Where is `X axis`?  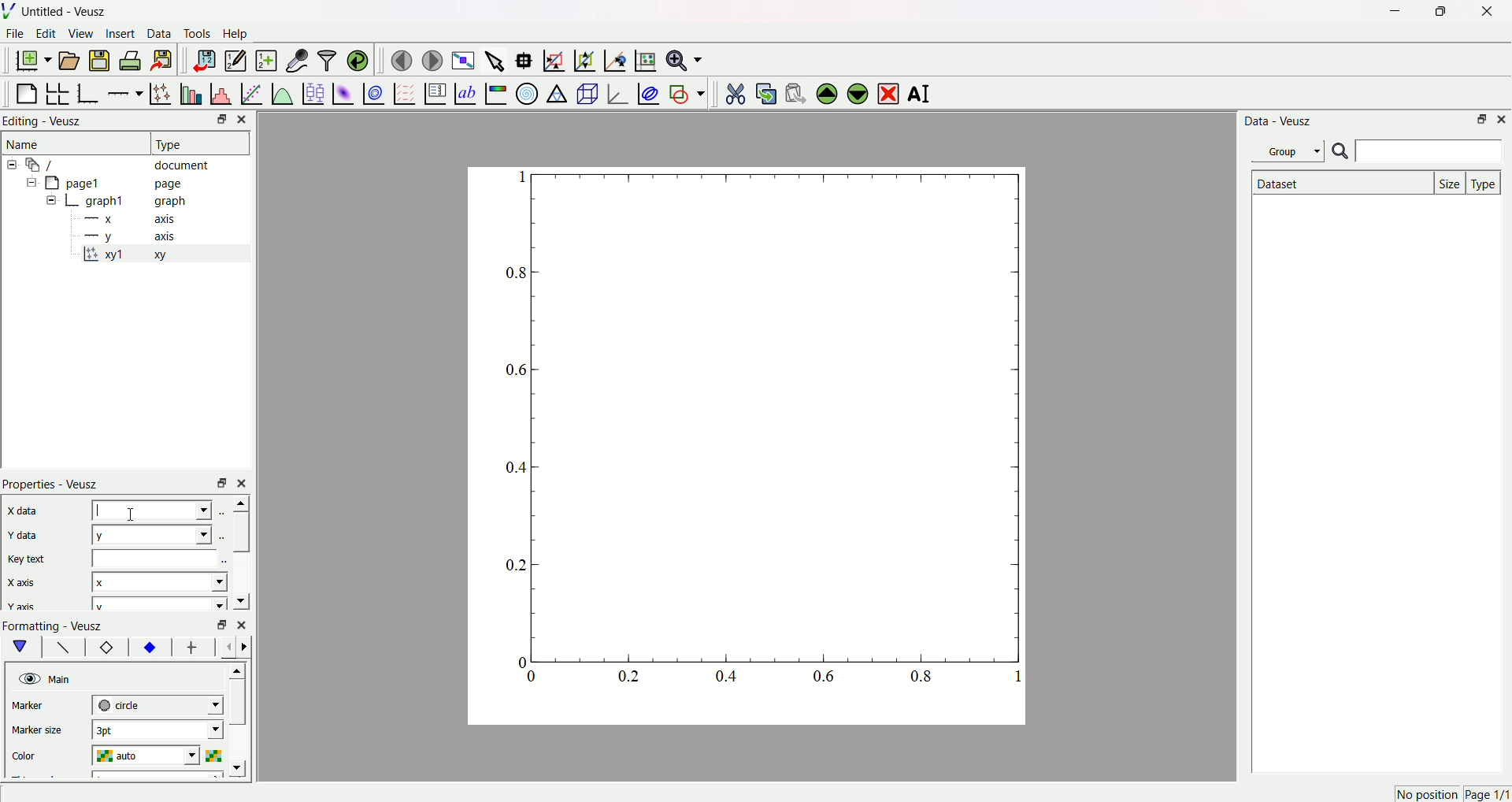
X axis is located at coordinates (28, 583).